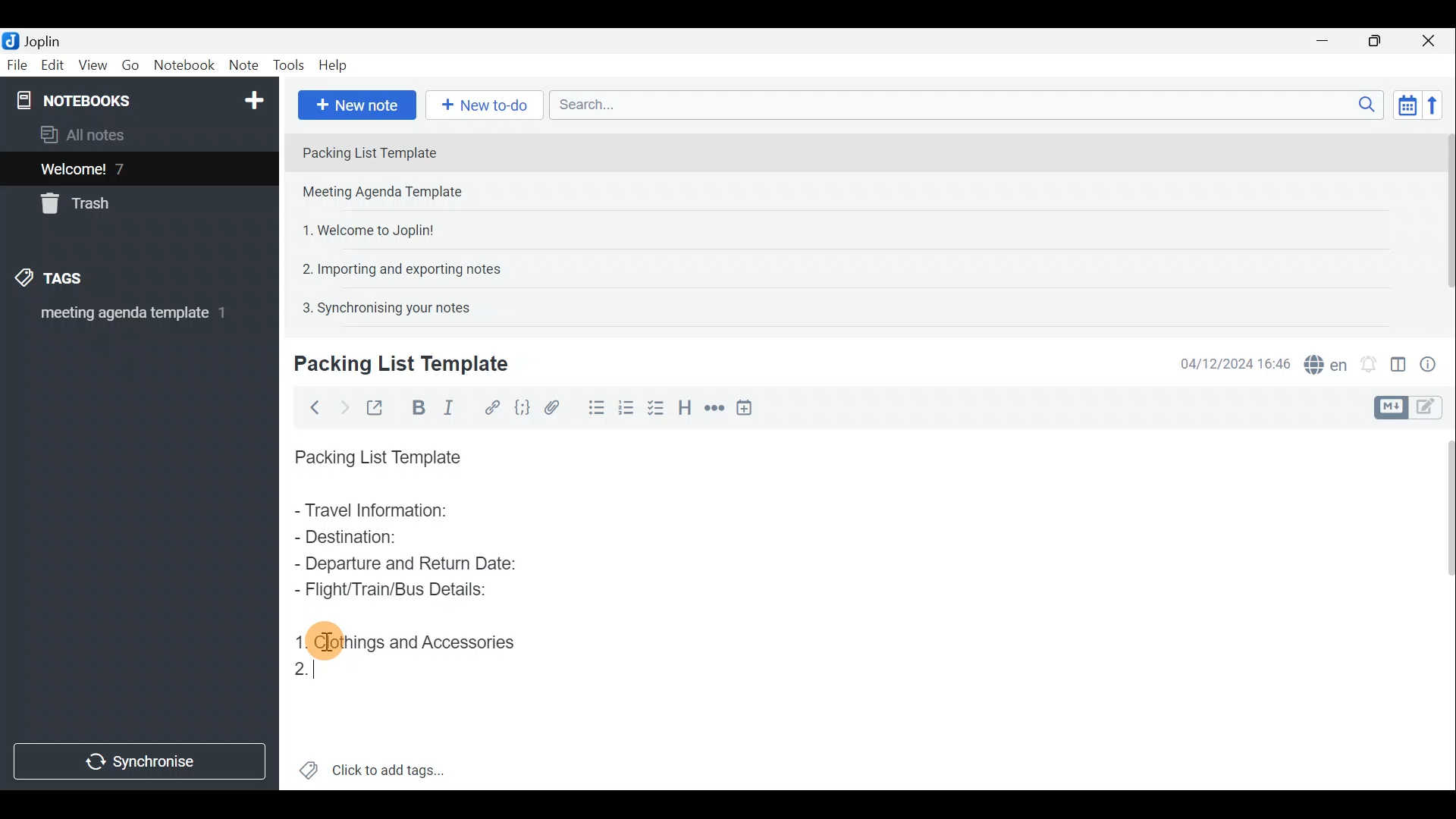 Image resolution: width=1456 pixels, height=819 pixels. I want to click on Note 4, so click(394, 266).